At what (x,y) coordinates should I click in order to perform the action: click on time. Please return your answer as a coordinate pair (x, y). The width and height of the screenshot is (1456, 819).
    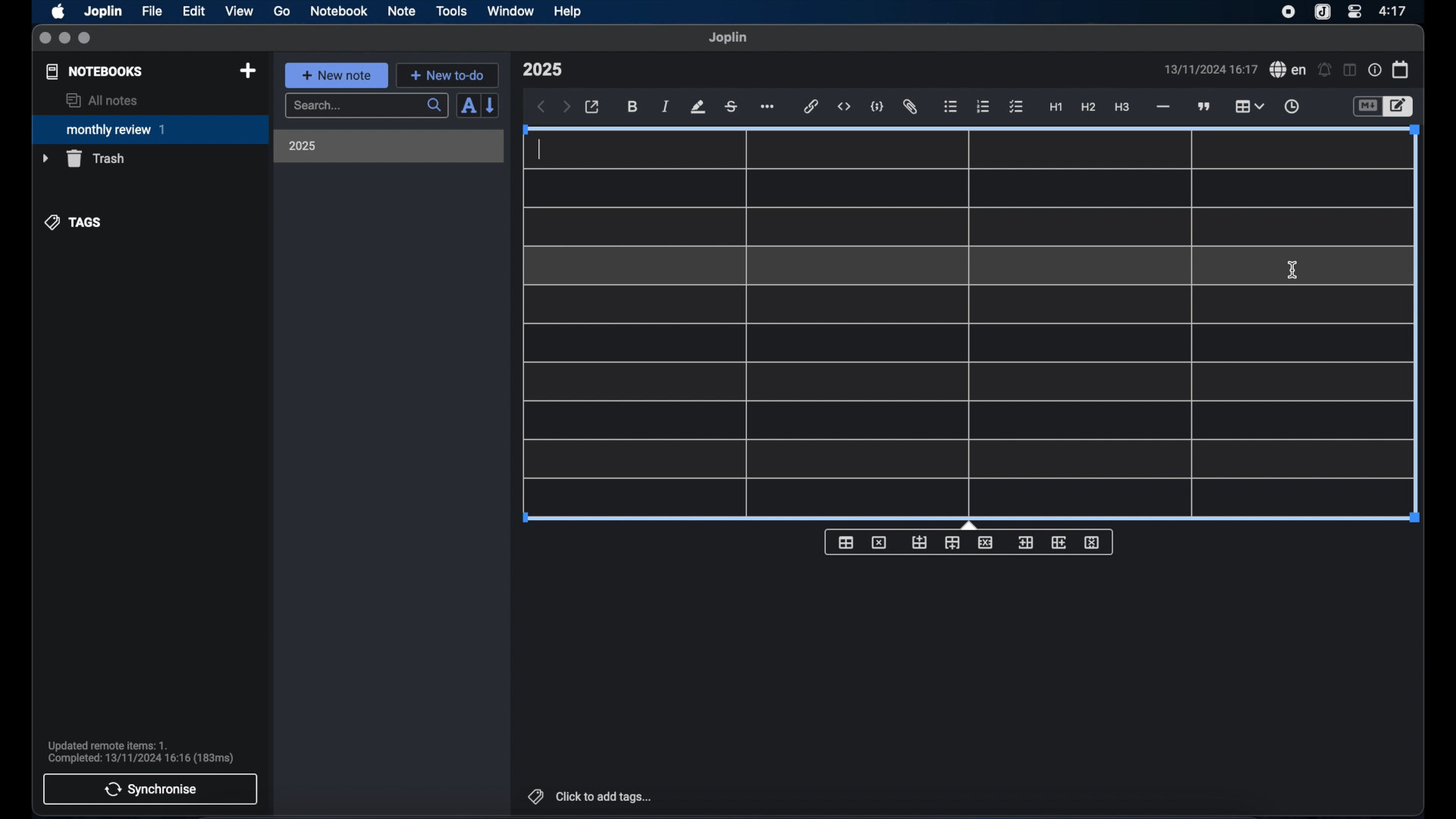
    Looking at the image, I should click on (1395, 11).